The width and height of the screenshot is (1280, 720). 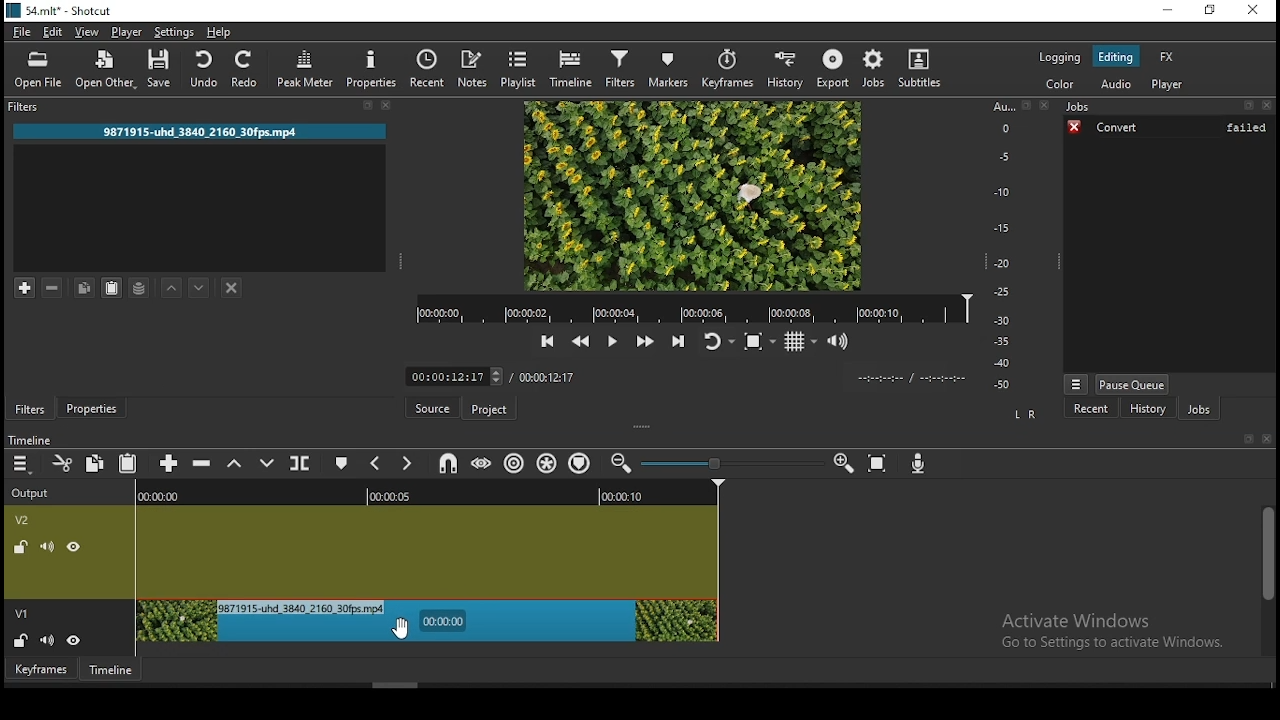 I want to click on open other, so click(x=107, y=68).